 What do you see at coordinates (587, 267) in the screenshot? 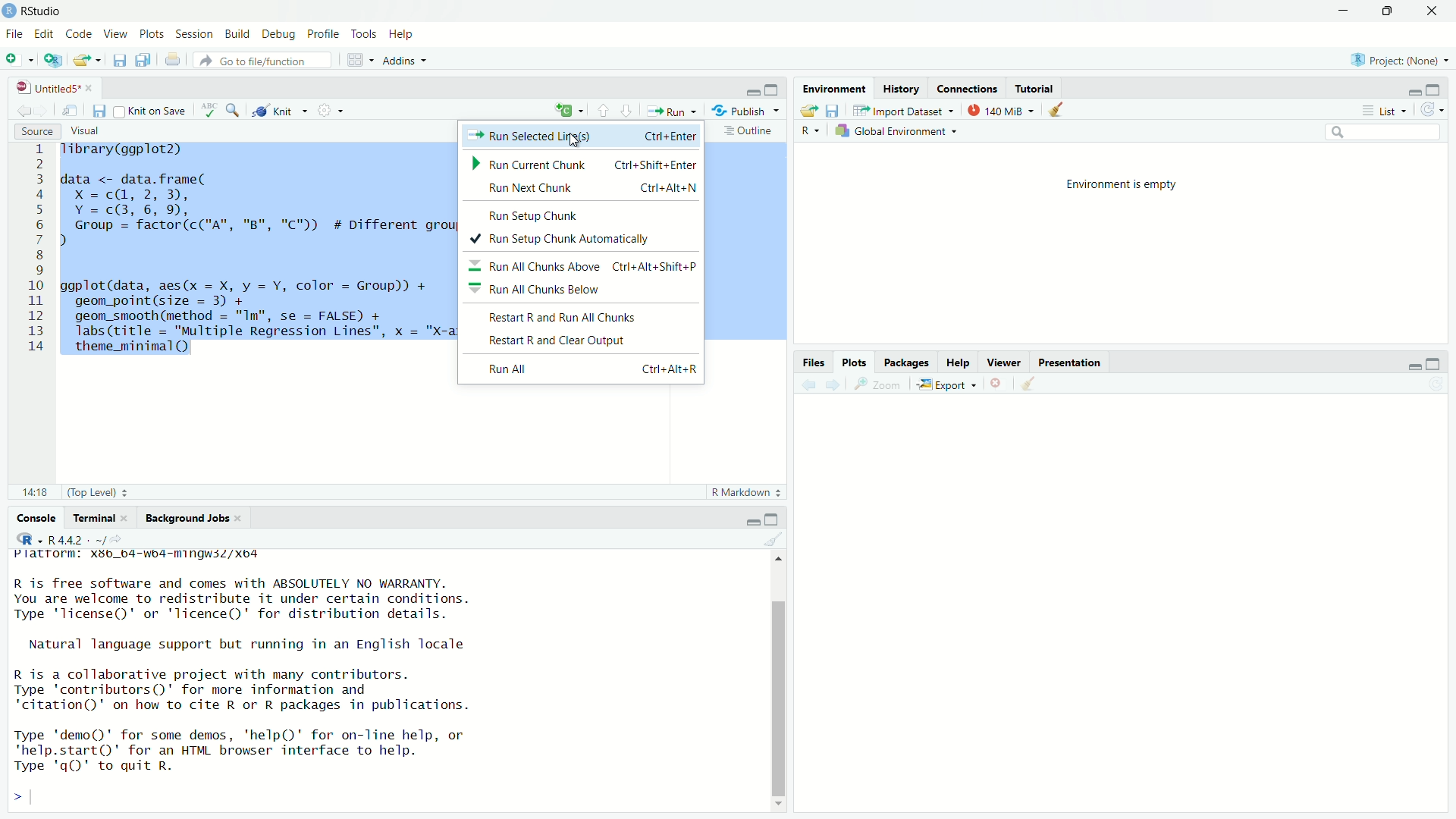
I see `Run All Chunks Above ~ Ctrl+Alt+Shift+P` at bounding box center [587, 267].